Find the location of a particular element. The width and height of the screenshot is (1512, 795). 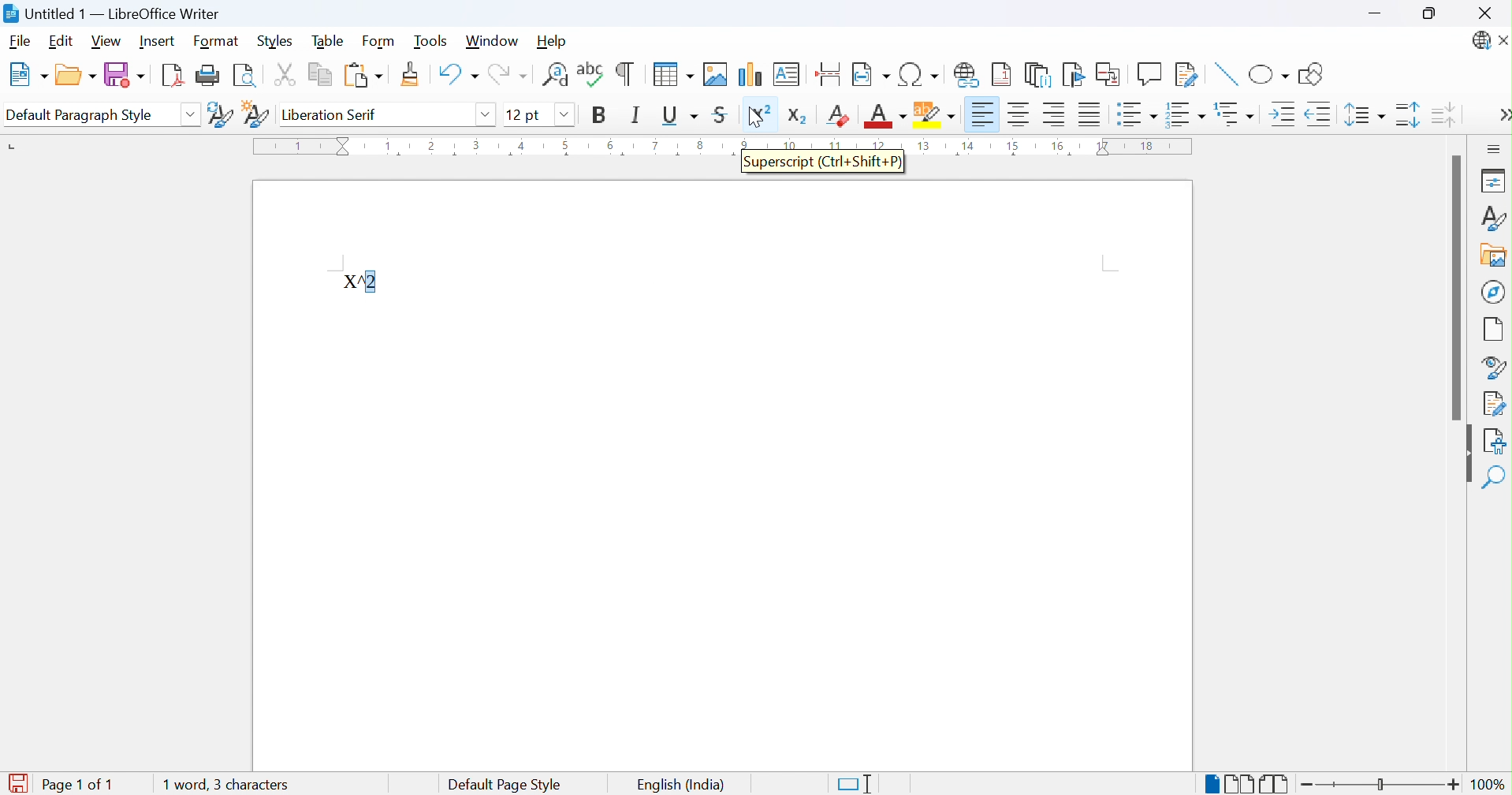

Sidebar settings is located at coordinates (1495, 151).